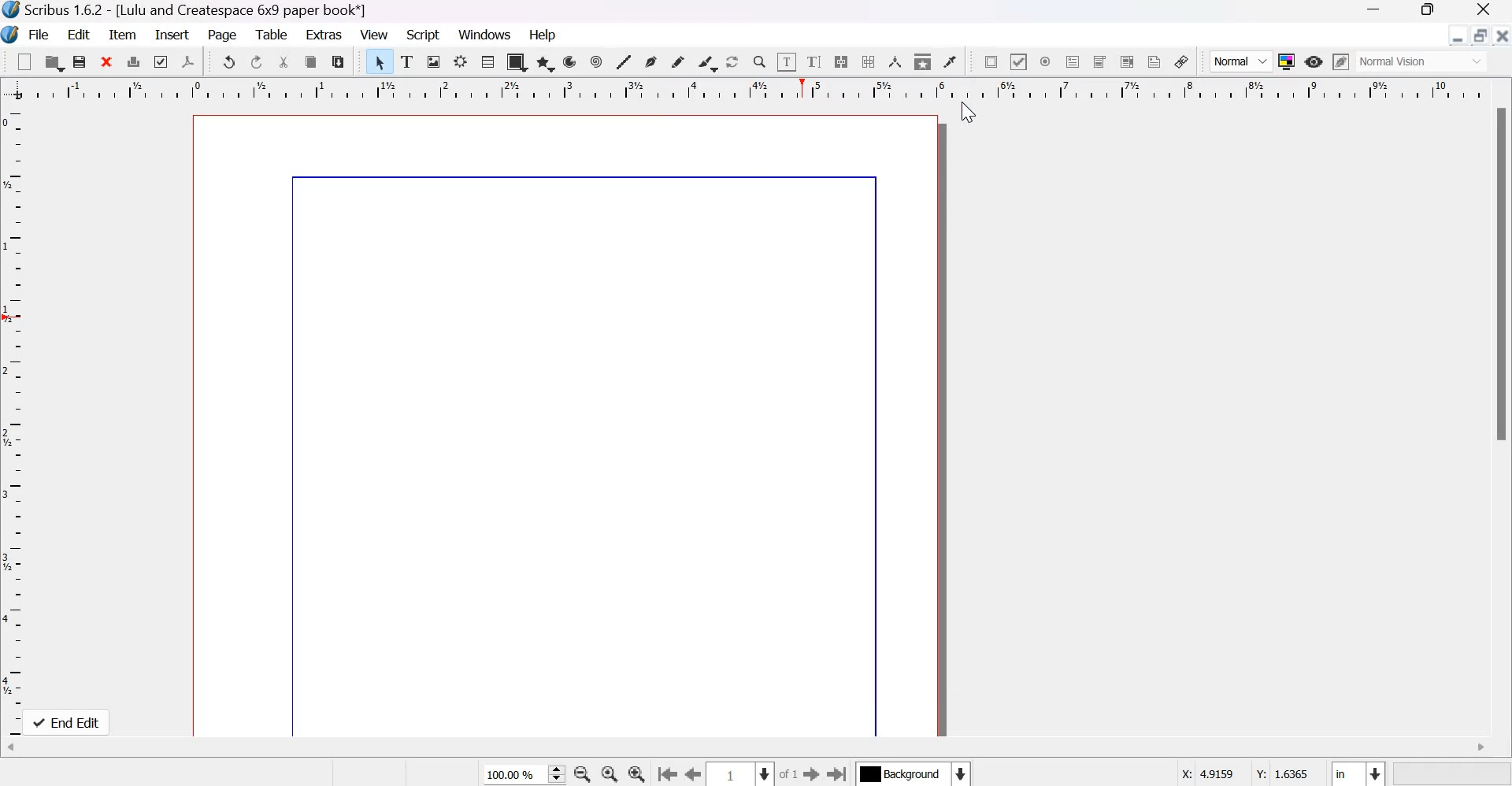 The width and height of the screenshot is (1512, 786). What do you see at coordinates (1181, 61) in the screenshot?
I see `Link annotation` at bounding box center [1181, 61].